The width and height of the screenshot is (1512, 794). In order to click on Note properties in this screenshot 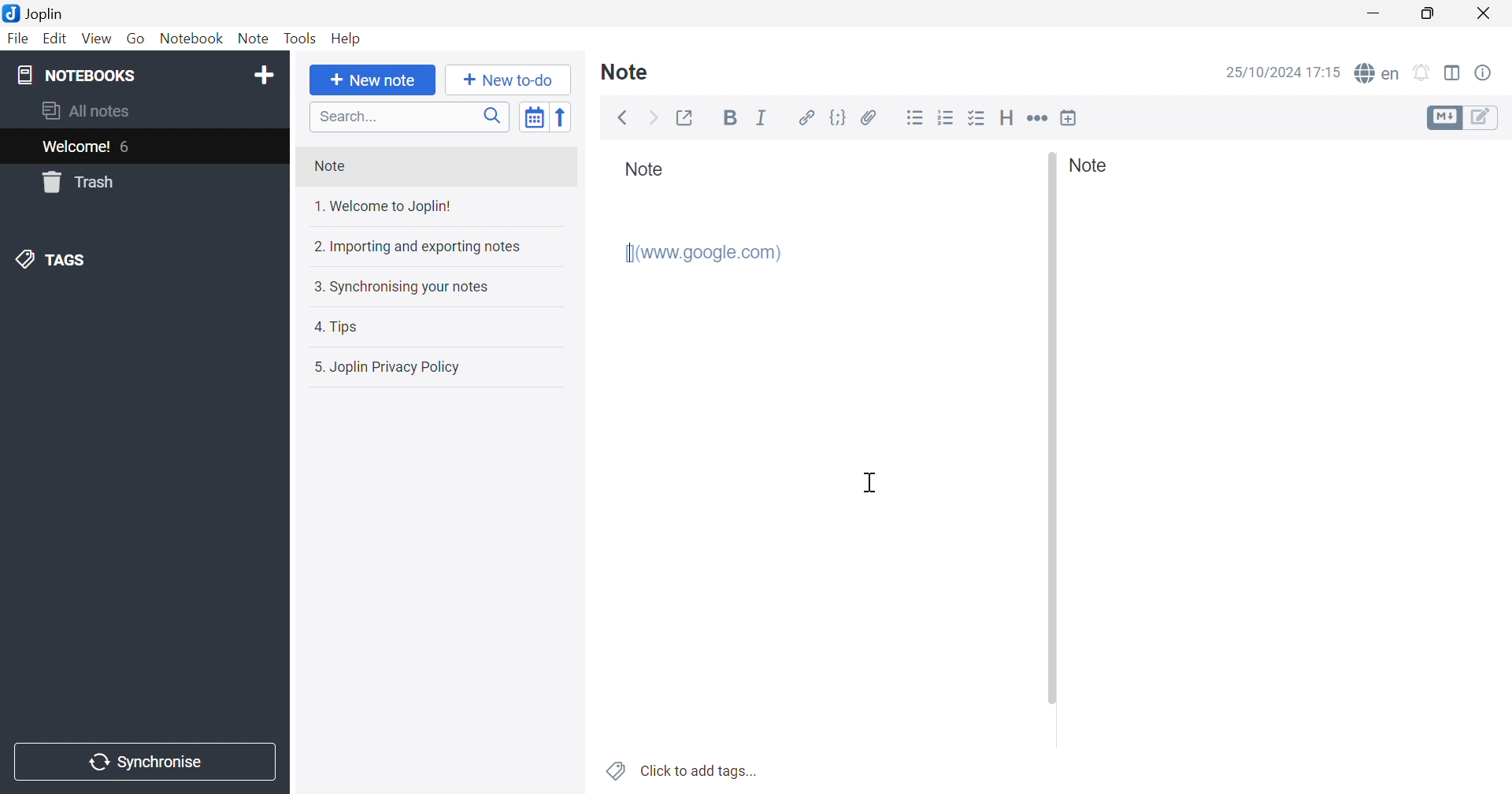, I will do `click(1484, 72)`.